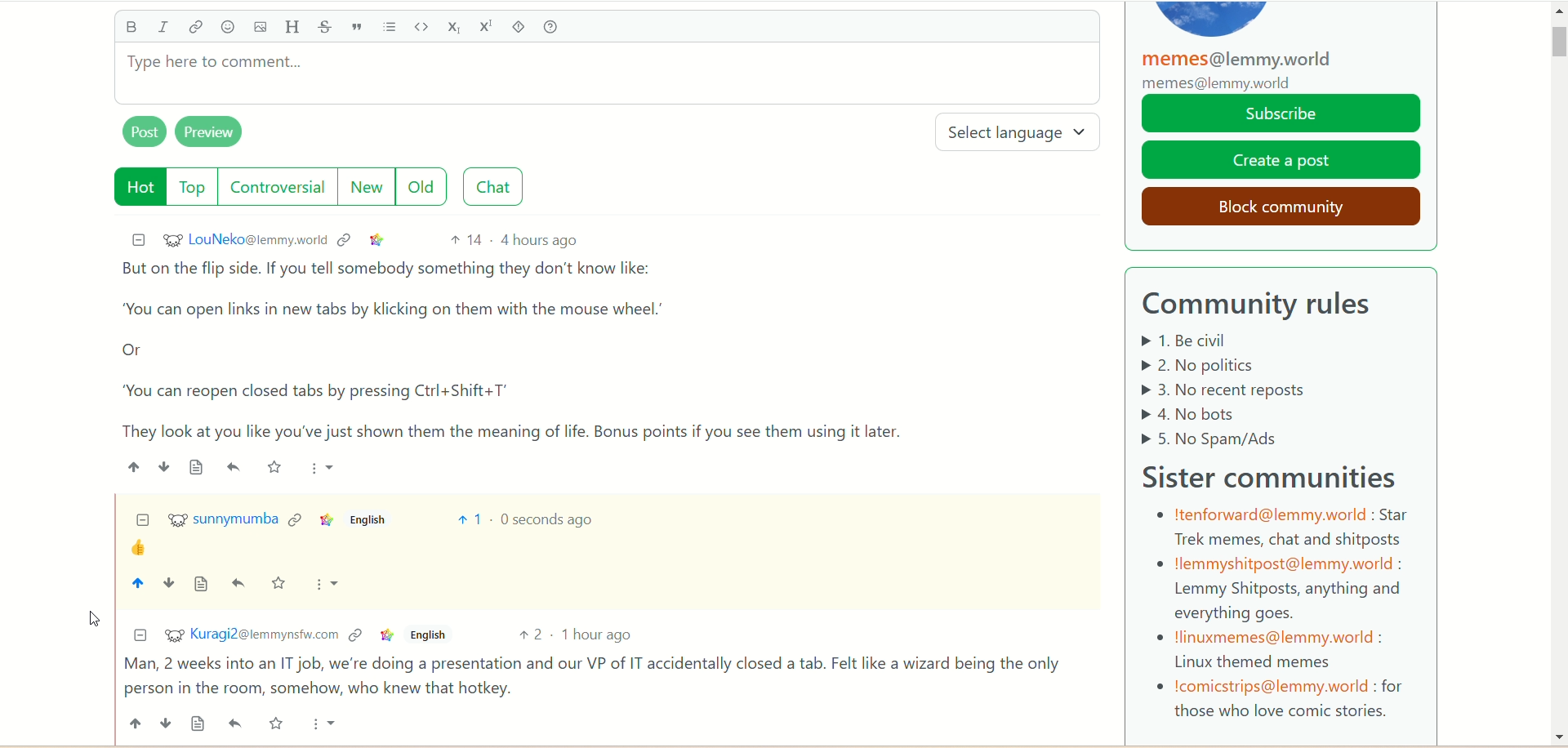  I want to click on spoiler, so click(521, 29).